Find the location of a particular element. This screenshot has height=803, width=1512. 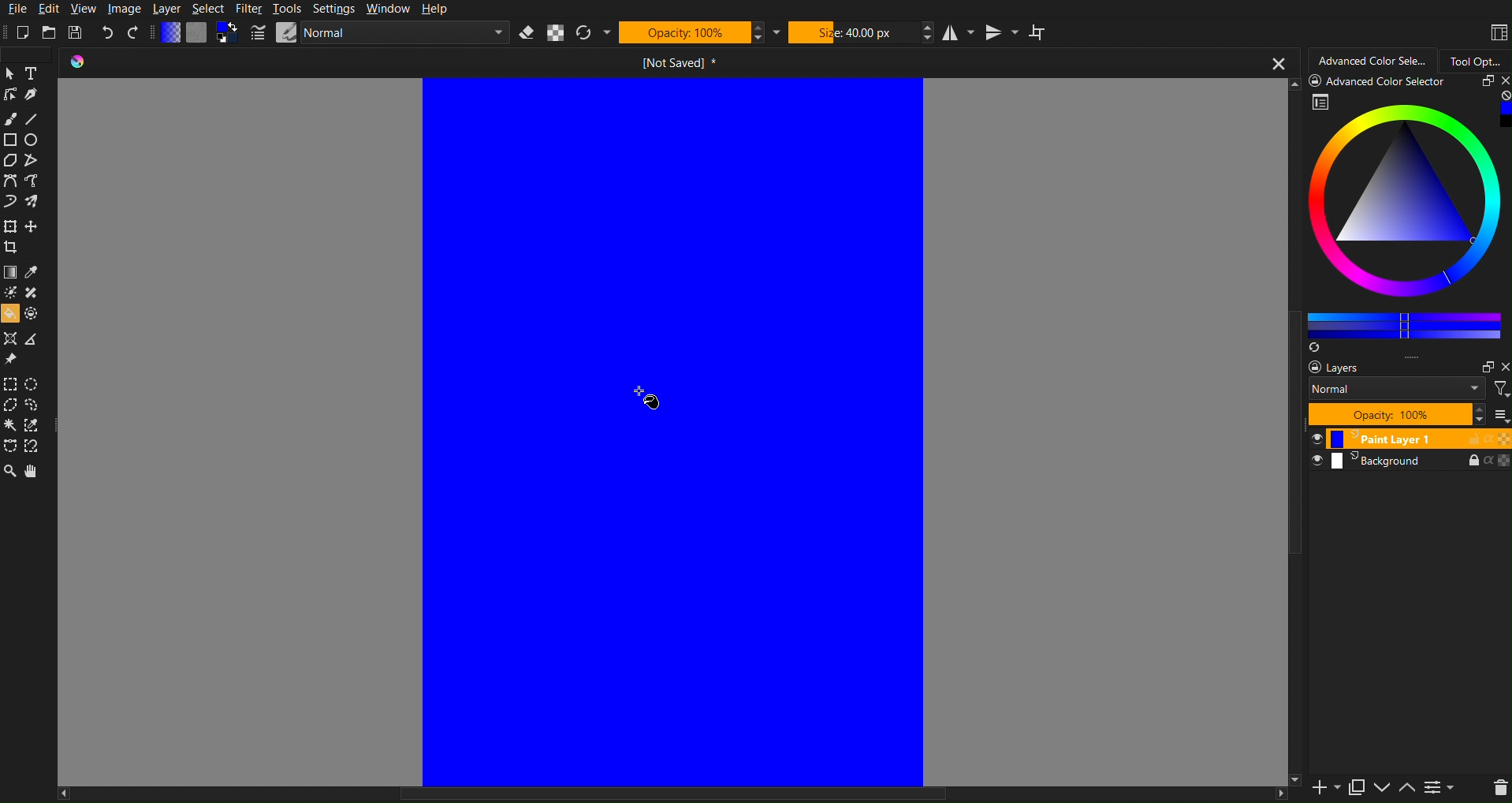

Linework is located at coordinates (9, 94).